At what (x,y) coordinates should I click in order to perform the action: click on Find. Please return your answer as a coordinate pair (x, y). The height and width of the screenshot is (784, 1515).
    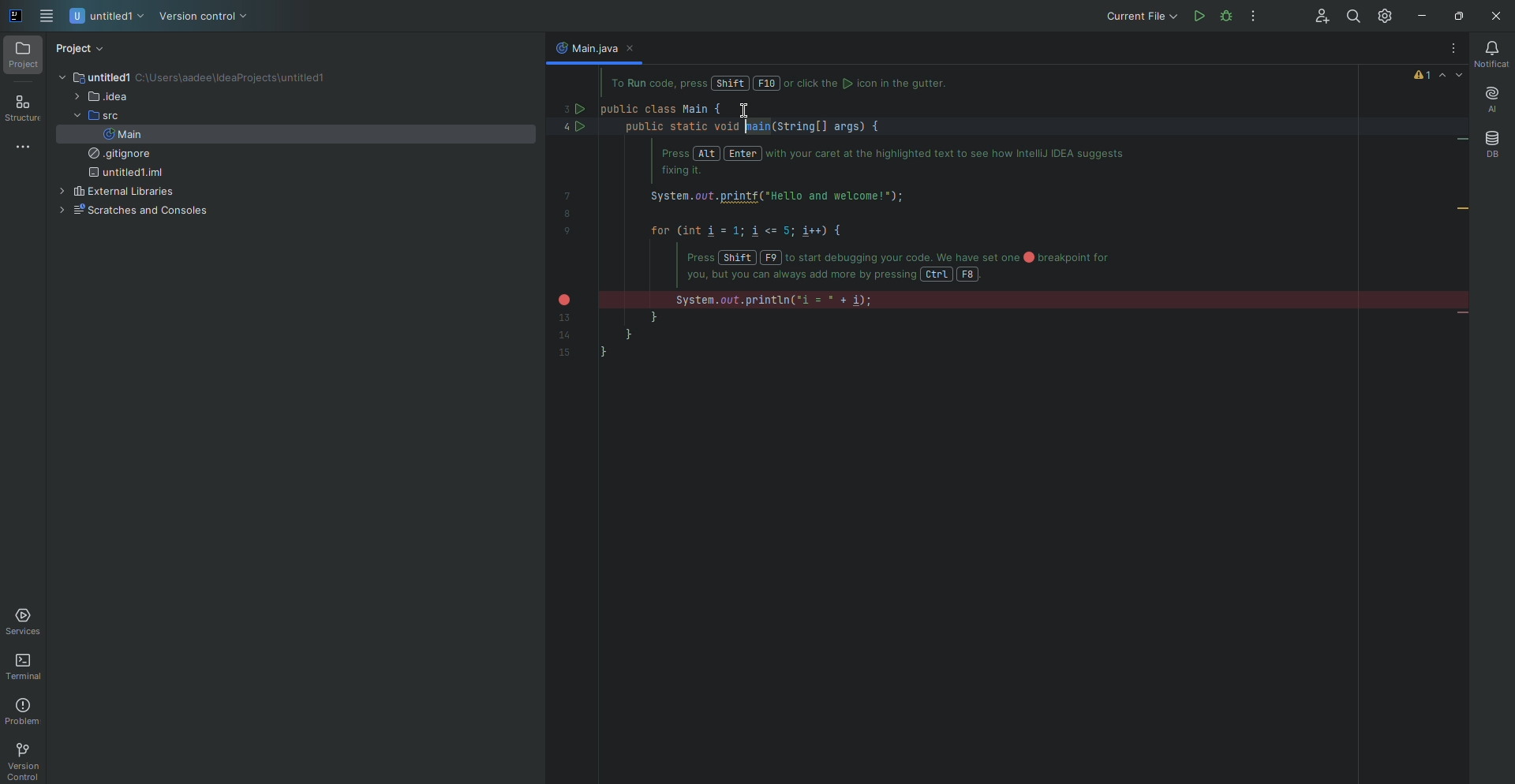
    Looking at the image, I should click on (1352, 17).